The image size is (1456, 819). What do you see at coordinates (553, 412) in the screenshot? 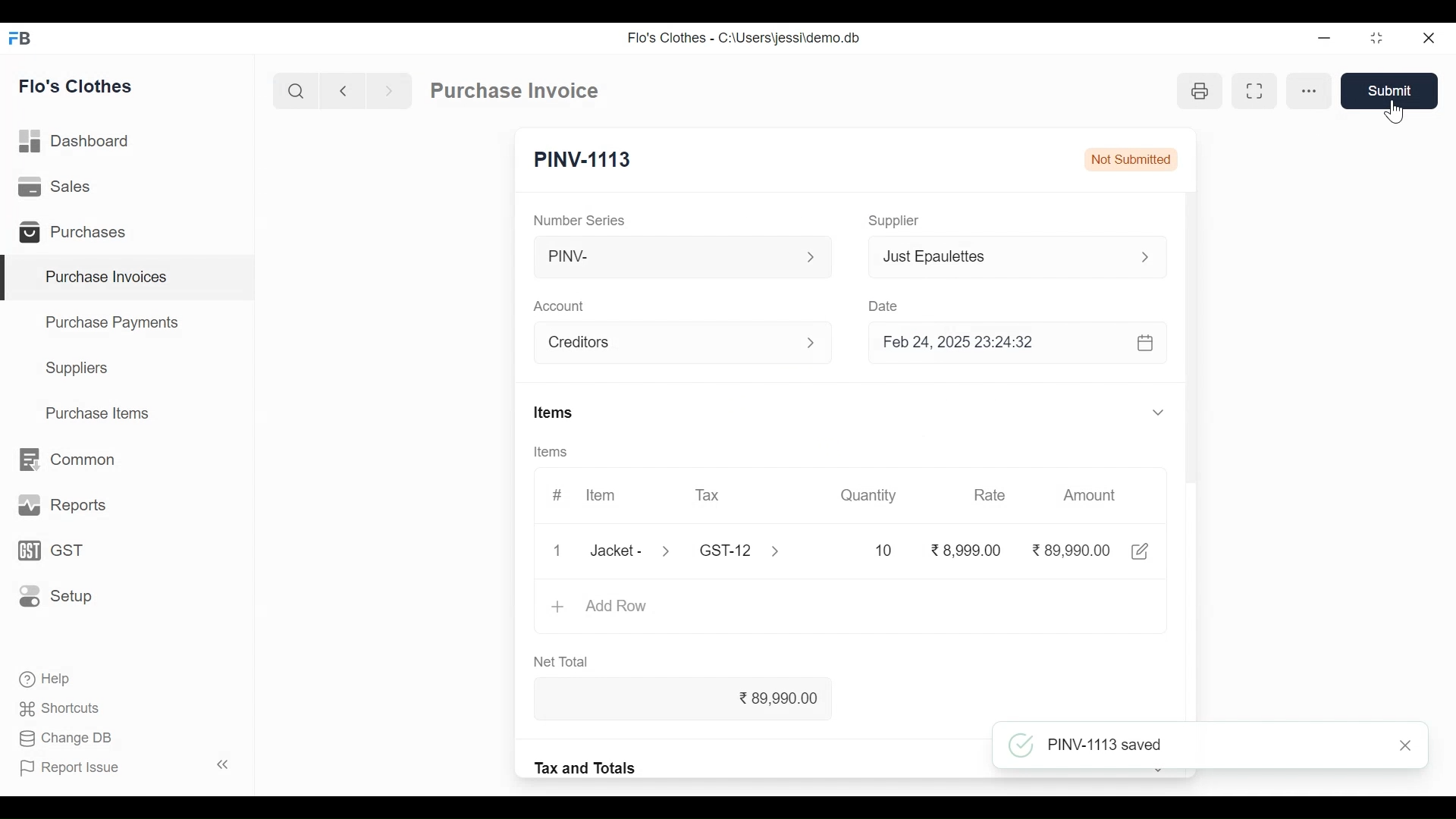
I see `Items` at bounding box center [553, 412].